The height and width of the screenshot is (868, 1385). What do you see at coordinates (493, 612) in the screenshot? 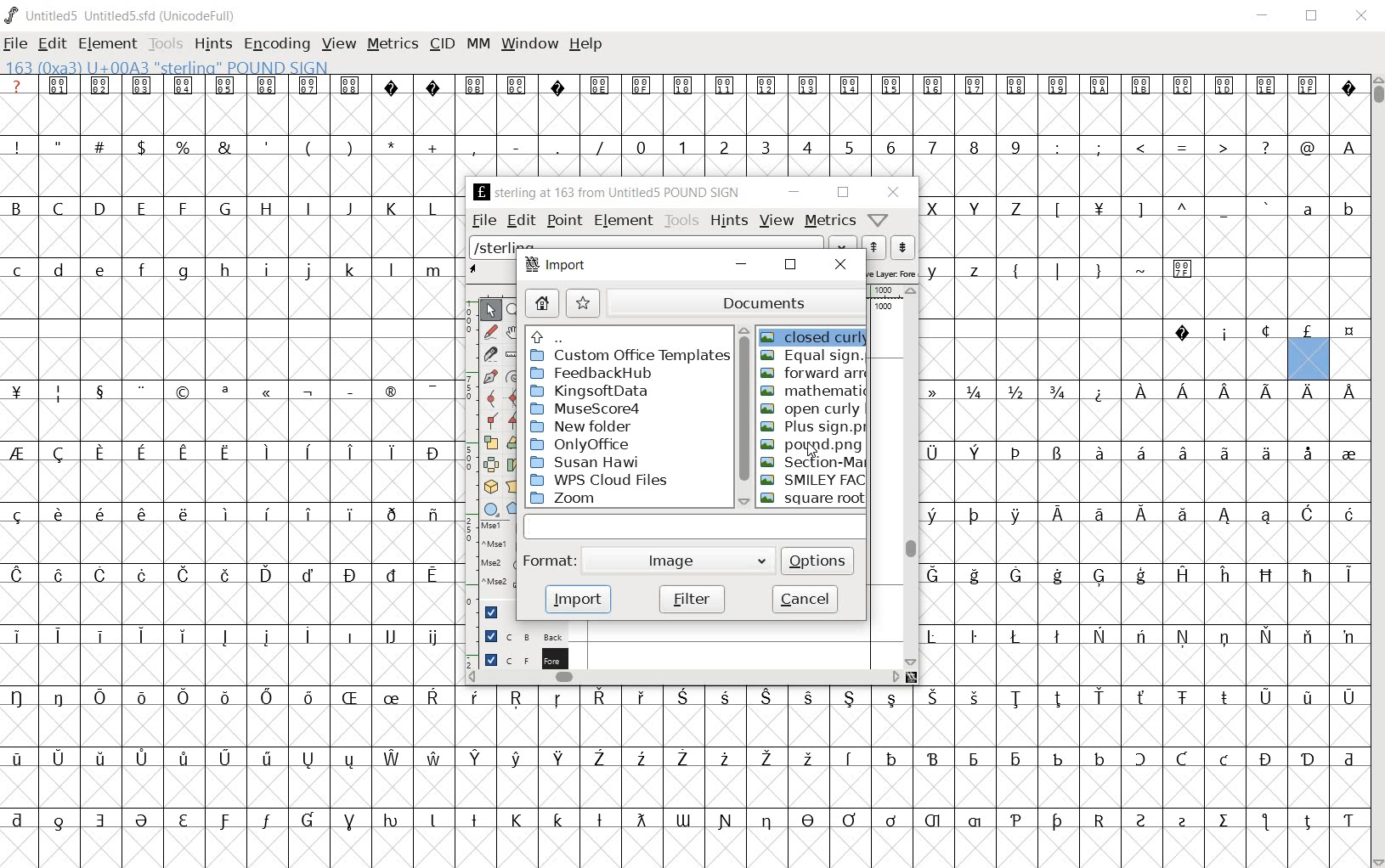
I see `Guide layer` at bounding box center [493, 612].